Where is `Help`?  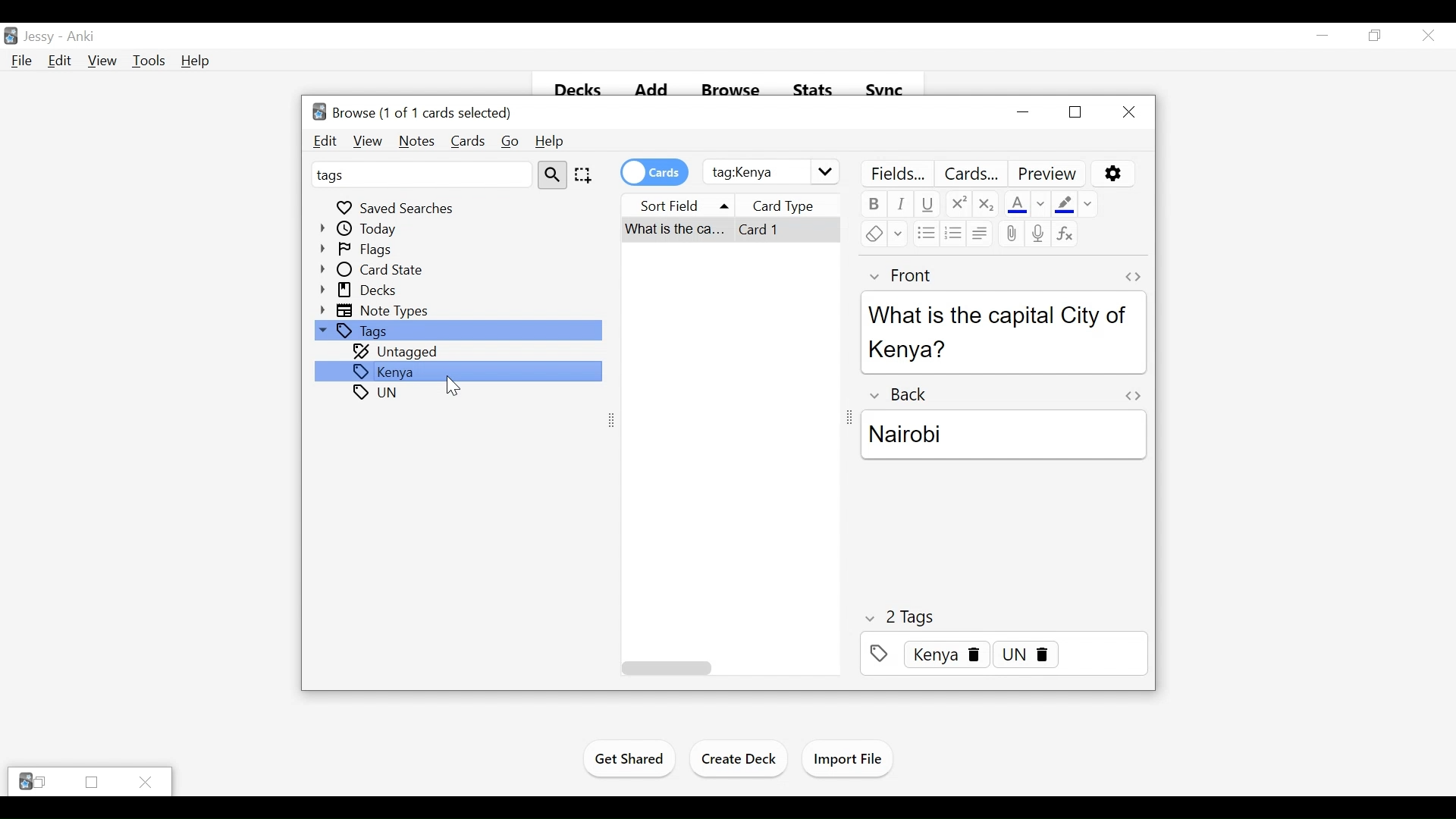
Help is located at coordinates (548, 142).